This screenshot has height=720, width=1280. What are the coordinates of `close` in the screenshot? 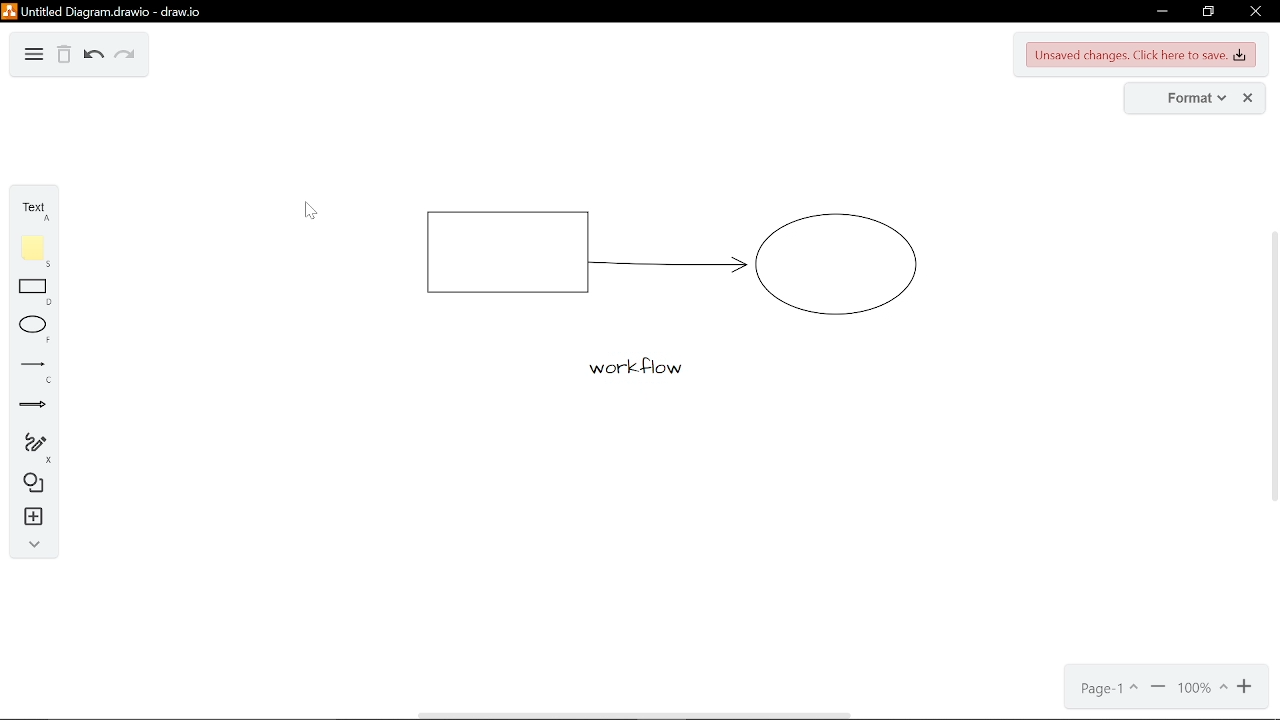 It's located at (1259, 11).